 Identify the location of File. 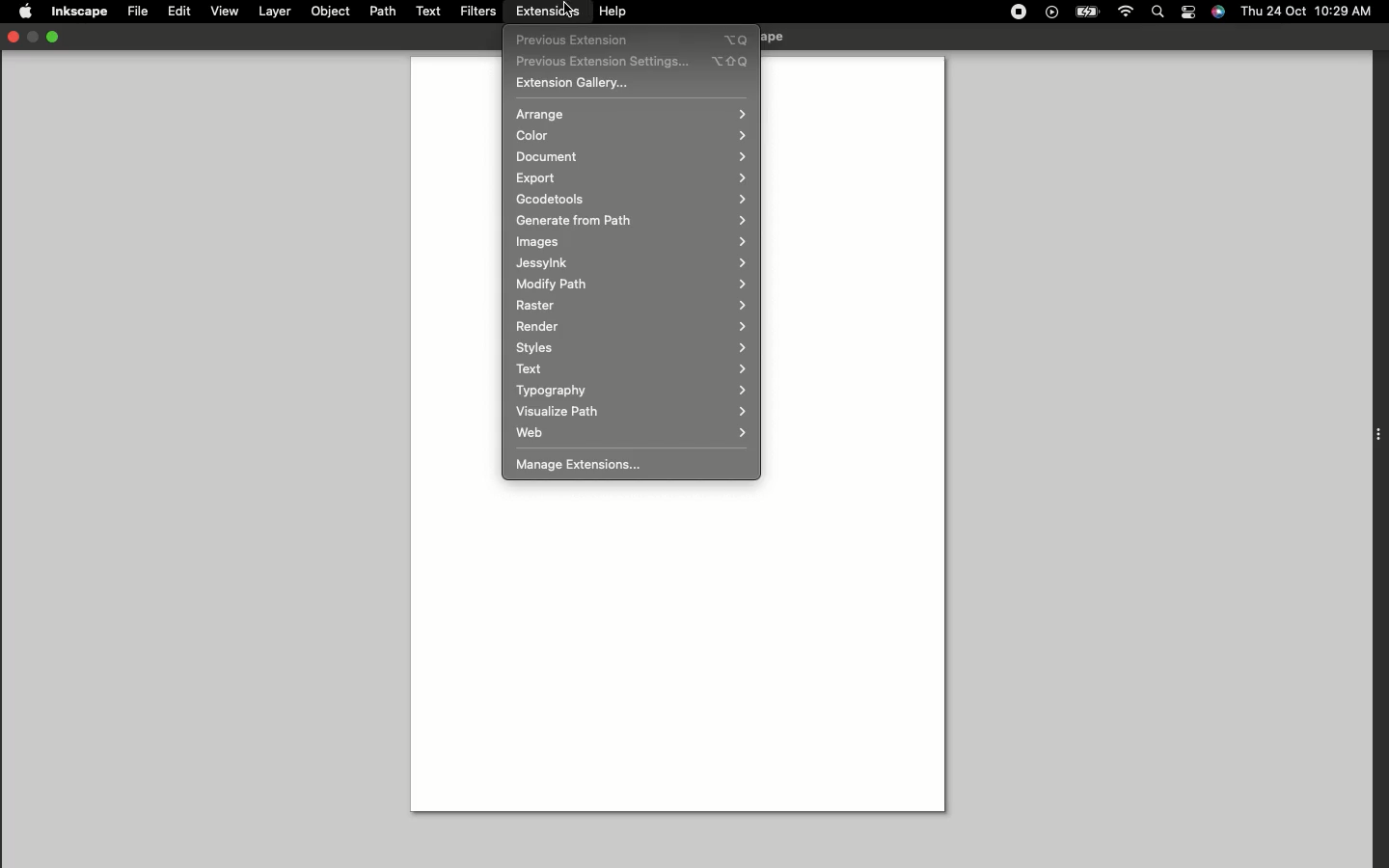
(140, 12).